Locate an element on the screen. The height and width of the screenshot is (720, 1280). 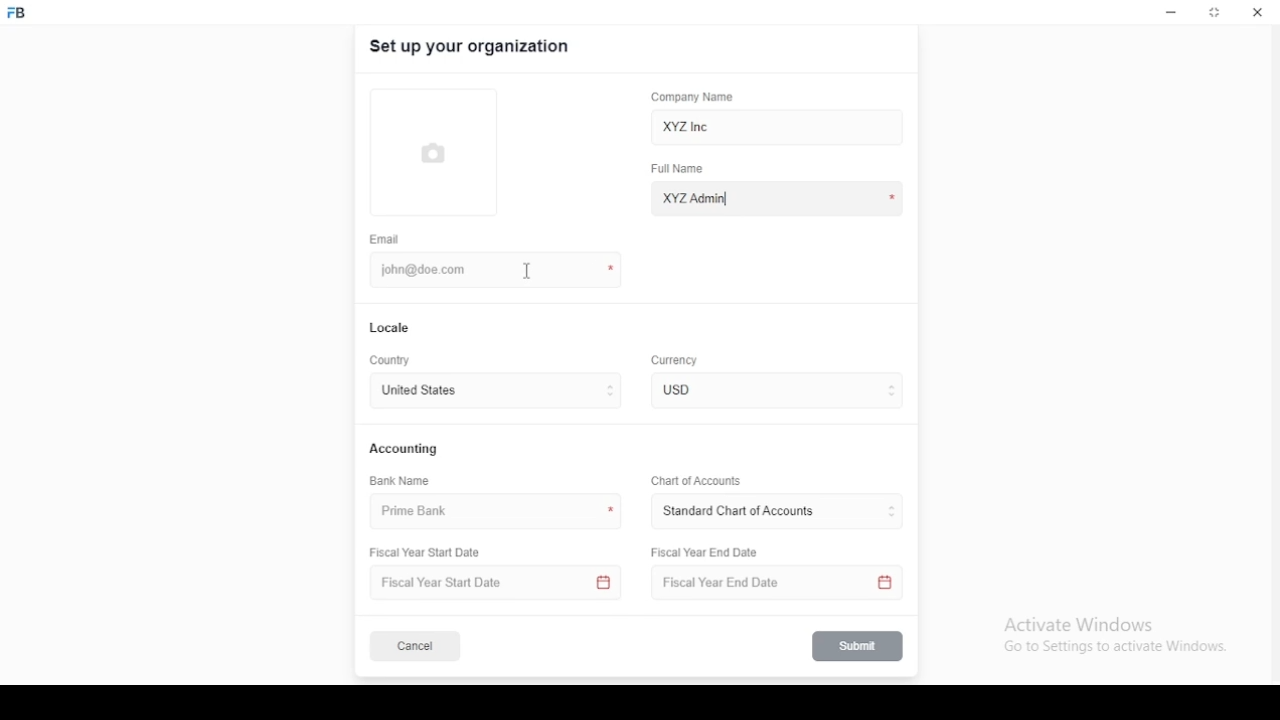
cancel is located at coordinates (415, 647).